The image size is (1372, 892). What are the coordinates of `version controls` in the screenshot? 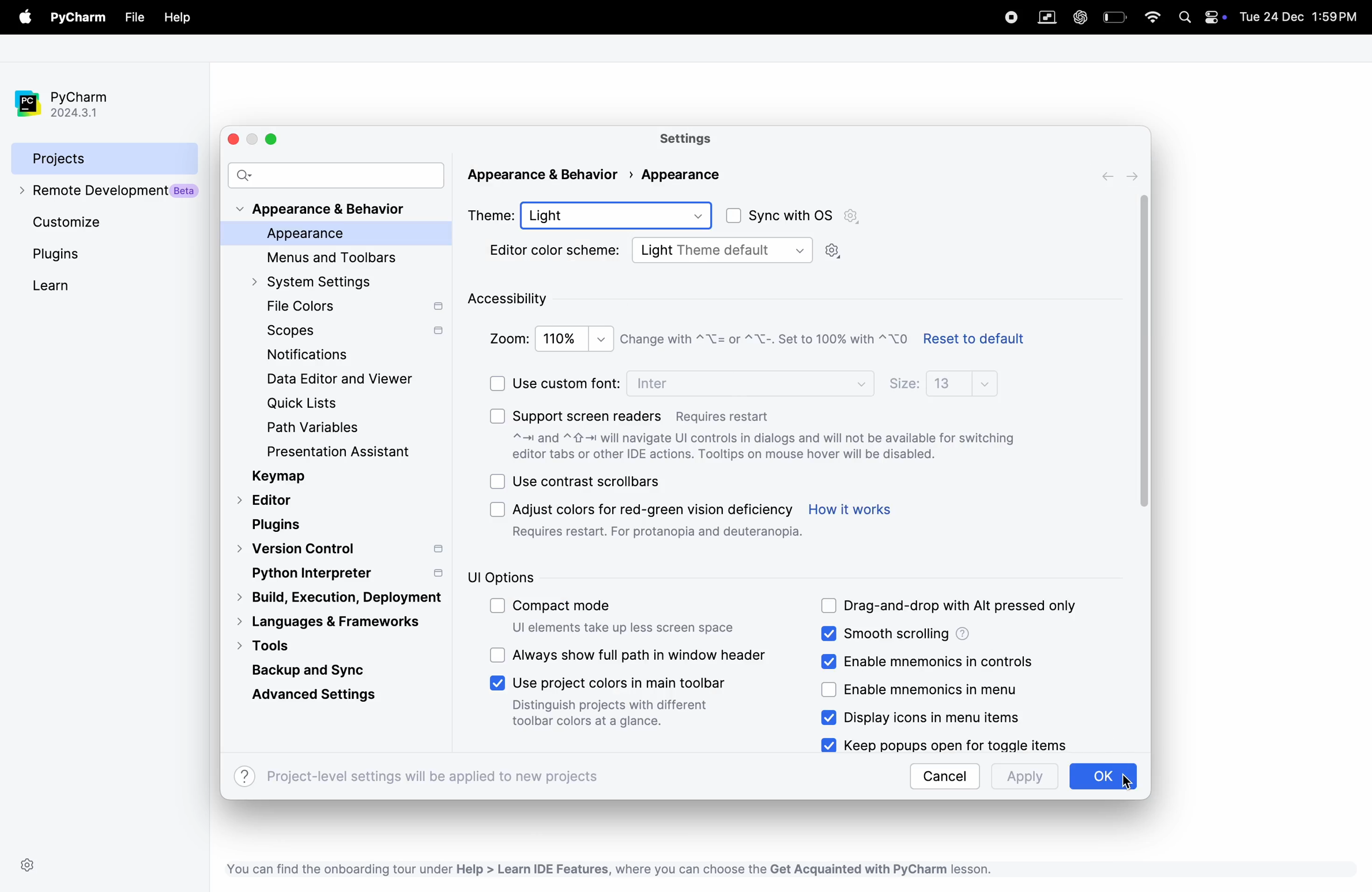 It's located at (344, 549).